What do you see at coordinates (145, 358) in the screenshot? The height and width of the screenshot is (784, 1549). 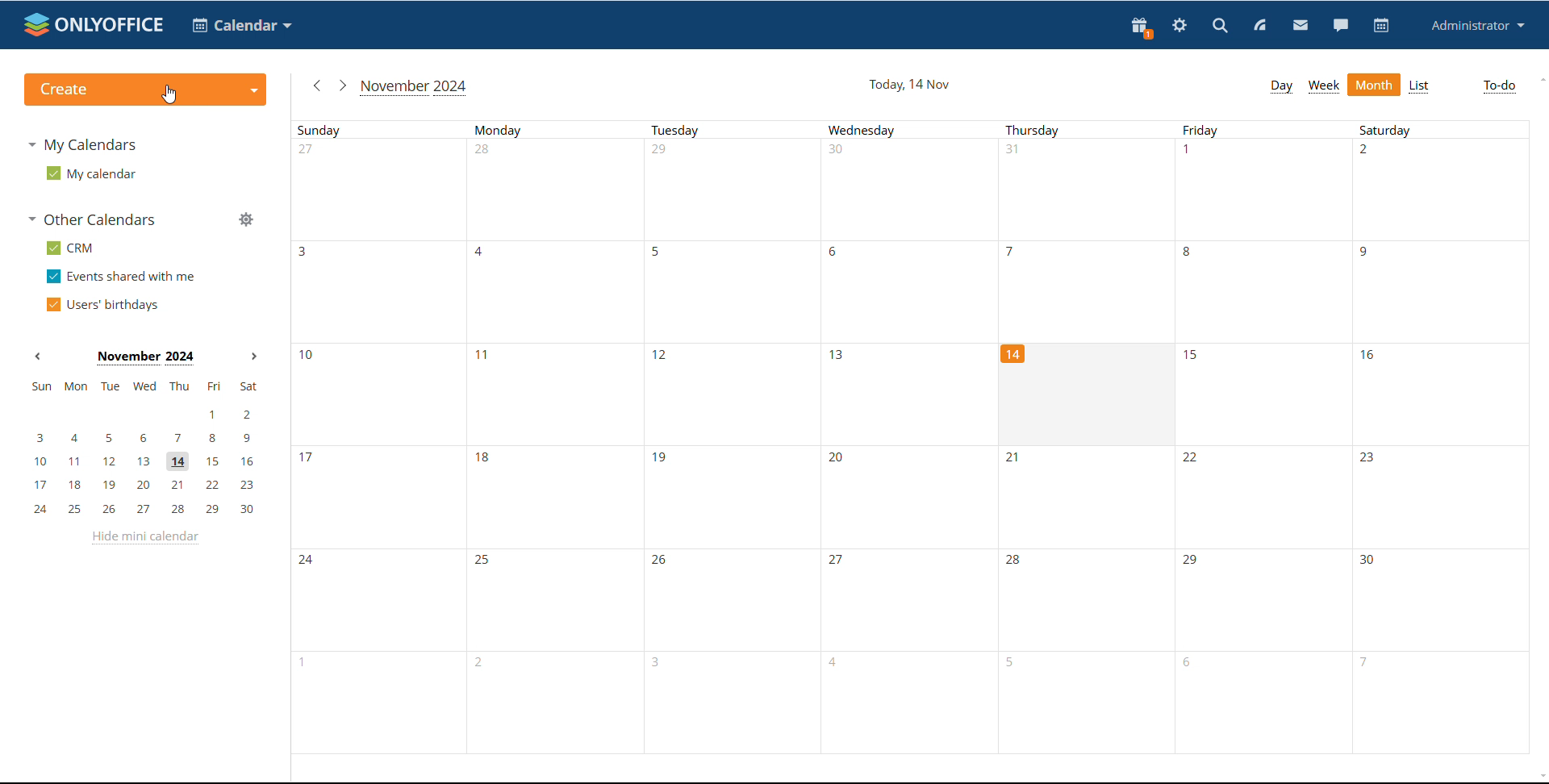 I see `Month on display` at bounding box center [145, 358].